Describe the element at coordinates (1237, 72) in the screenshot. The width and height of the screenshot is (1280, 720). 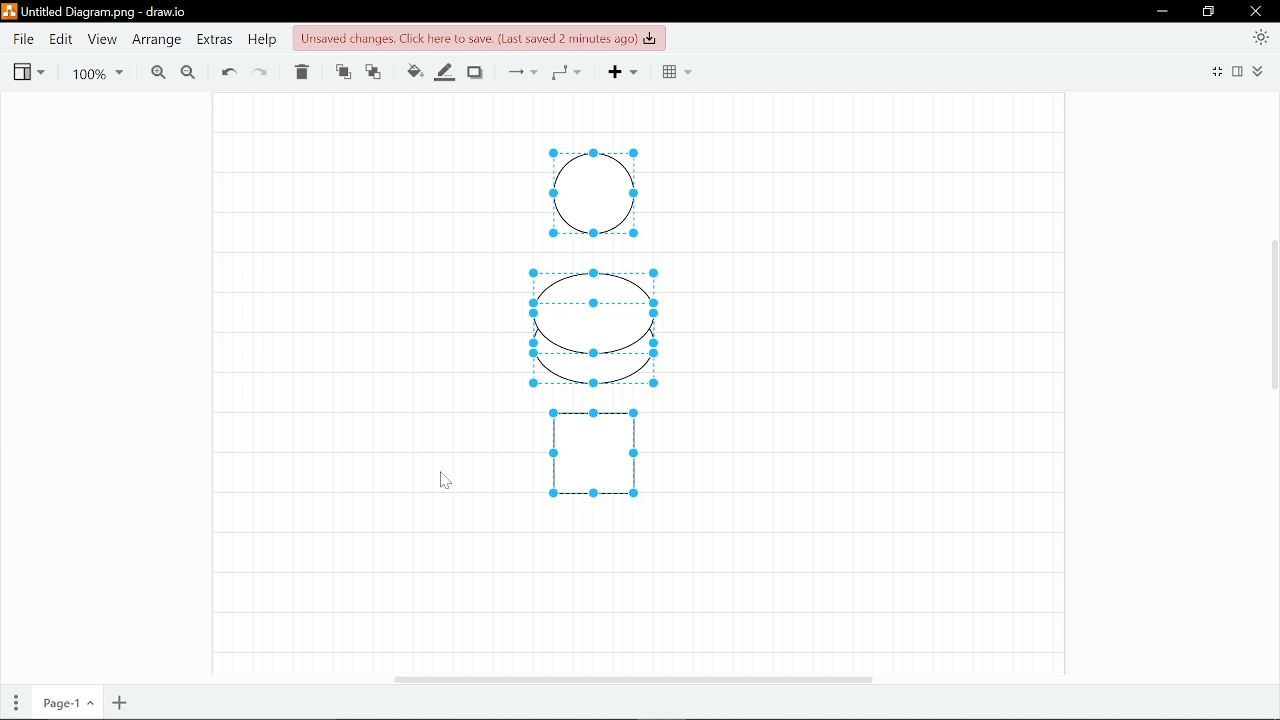
I see `Format` at that location.